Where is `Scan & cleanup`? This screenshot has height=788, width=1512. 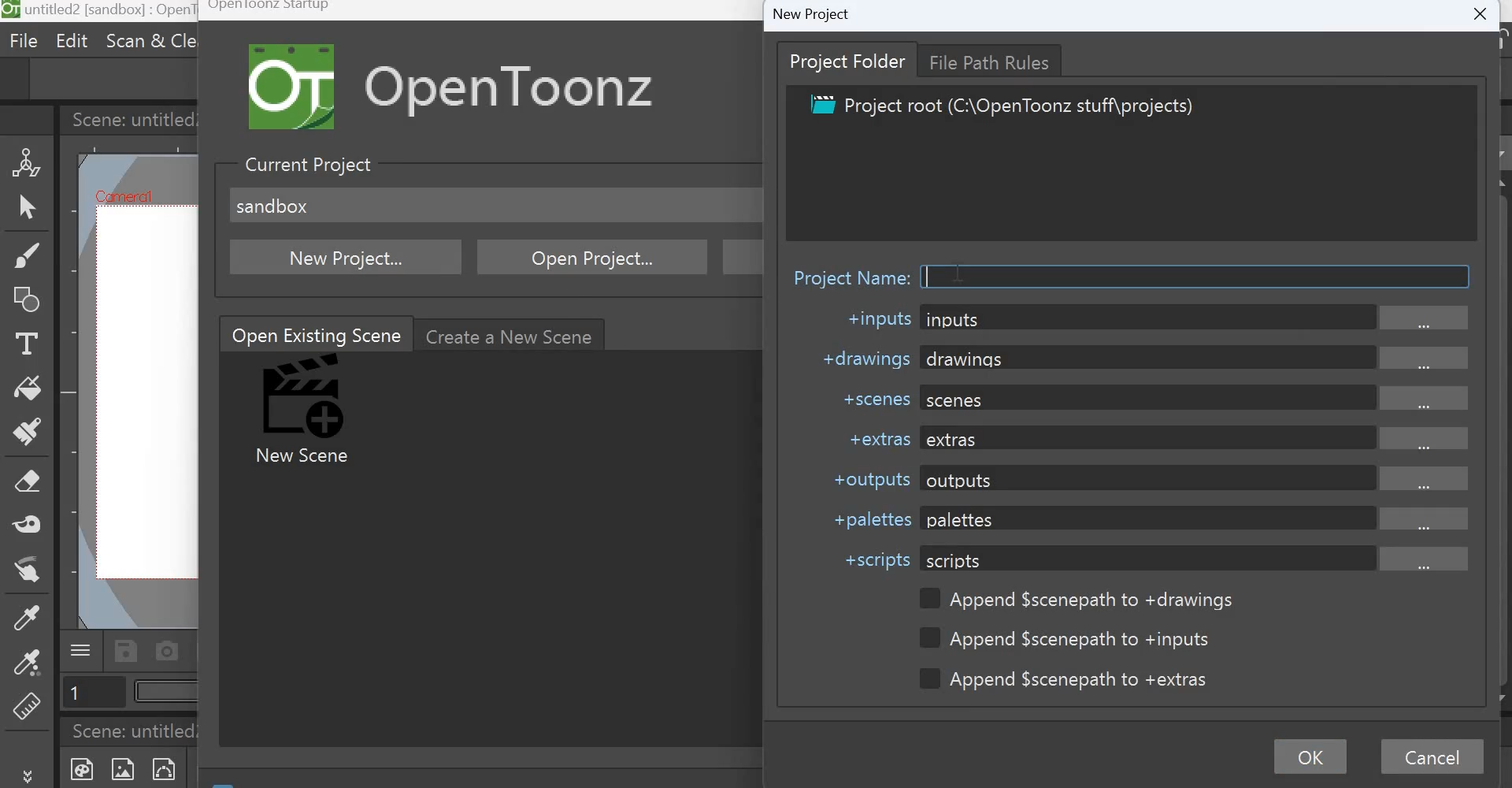 Scan & cleanup is located at coordinates (149, 39).